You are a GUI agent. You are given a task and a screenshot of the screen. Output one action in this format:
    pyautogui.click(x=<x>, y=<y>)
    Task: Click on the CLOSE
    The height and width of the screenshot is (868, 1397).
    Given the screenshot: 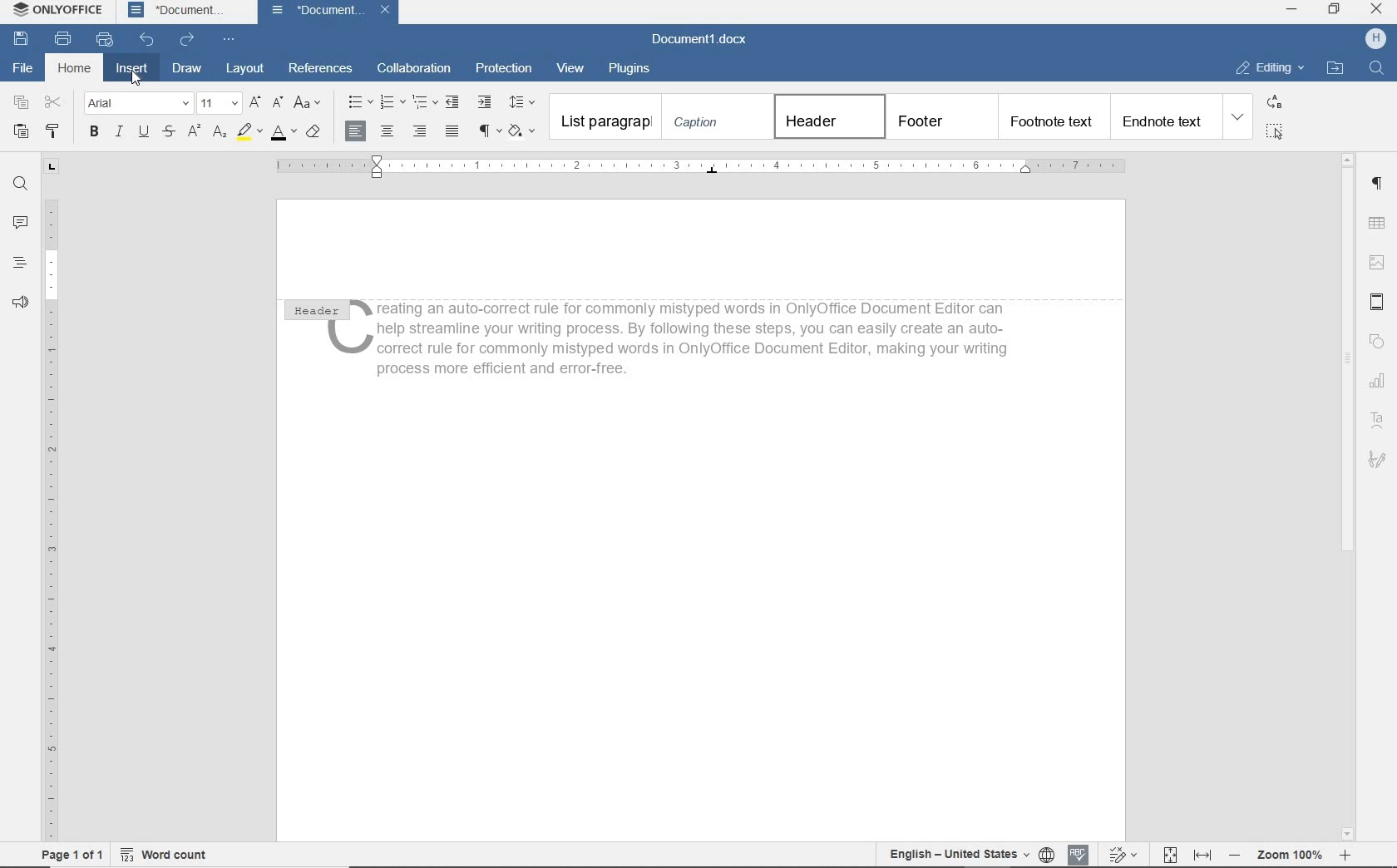 What is the action you would take?
    pyautogui.click(x=1375, y=8)
    